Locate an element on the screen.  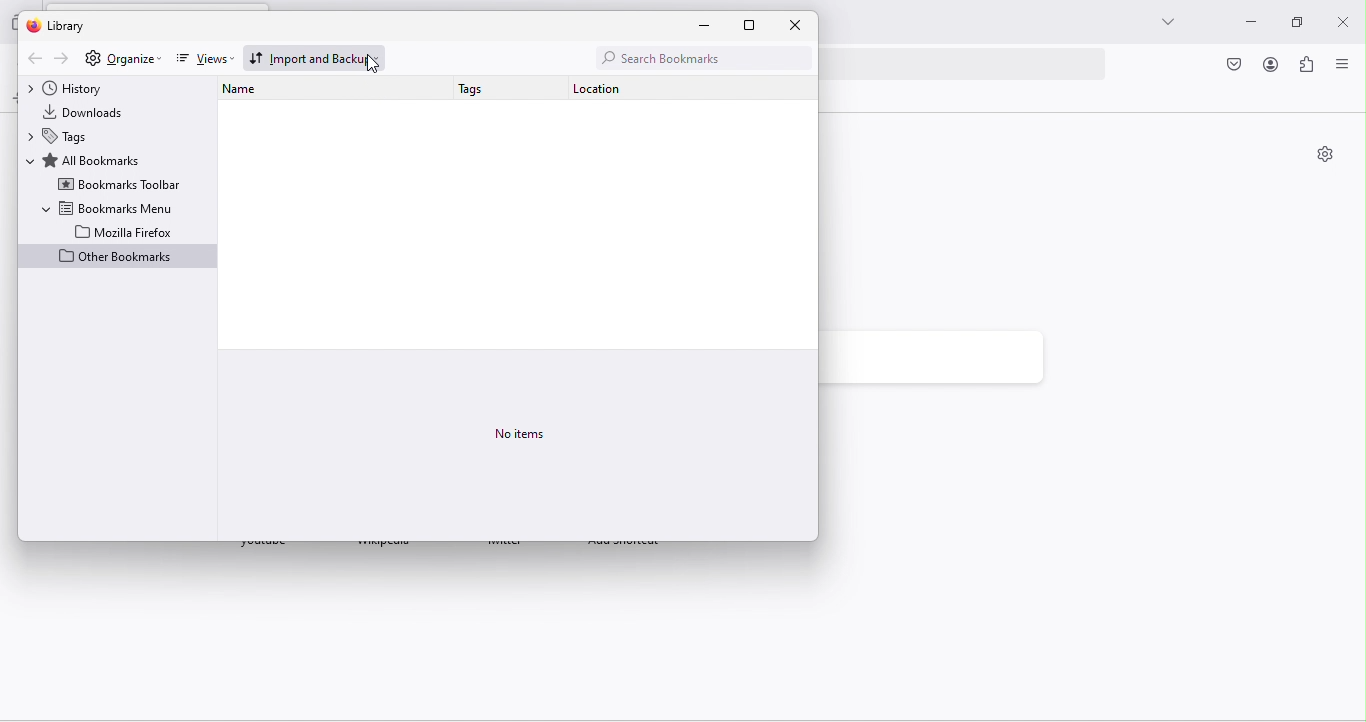
account is located at coordinates (1270, 66).